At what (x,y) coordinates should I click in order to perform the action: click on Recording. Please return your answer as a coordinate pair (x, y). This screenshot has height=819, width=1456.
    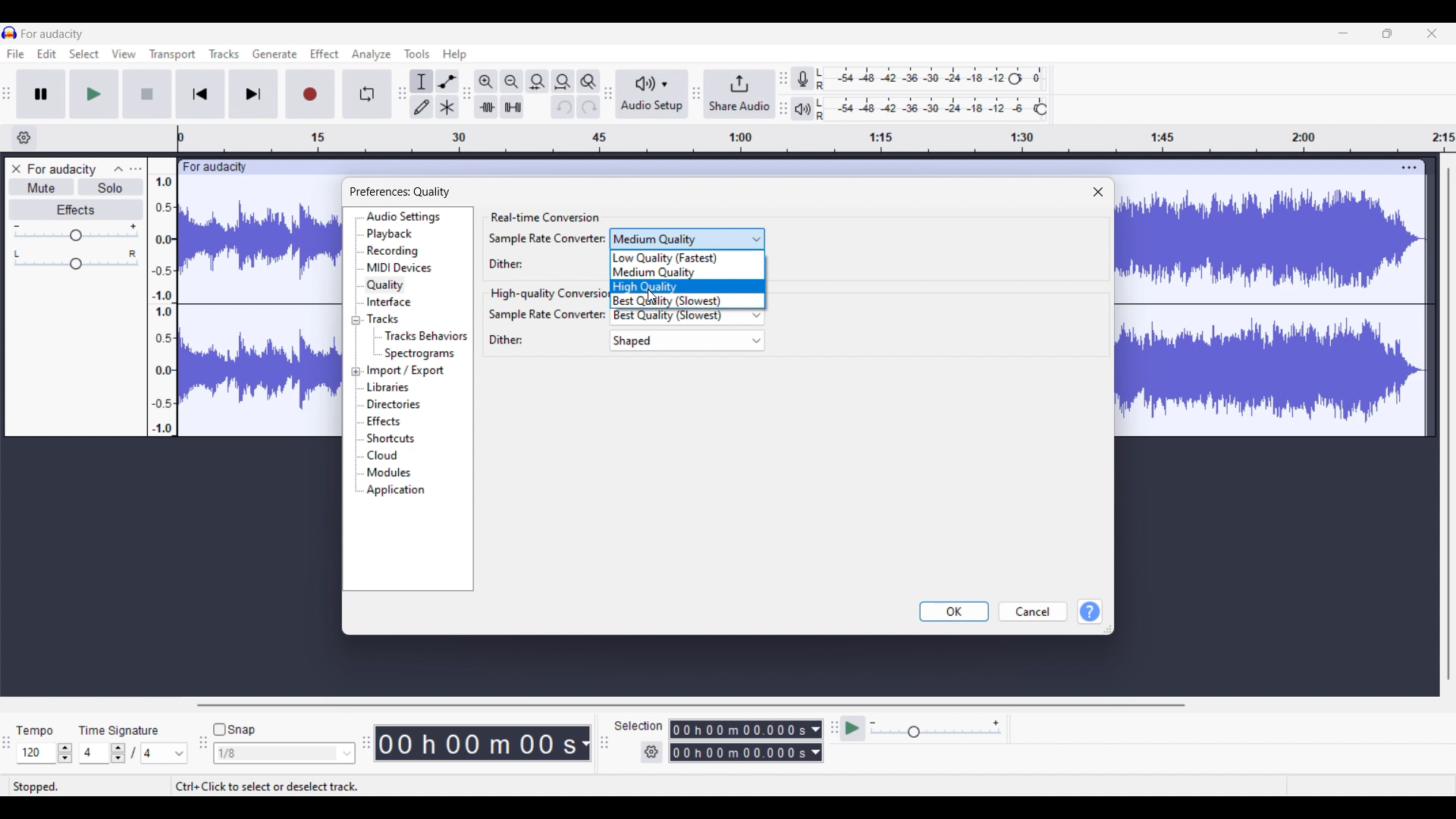
    Looking at the image, I should click on (393, 251).